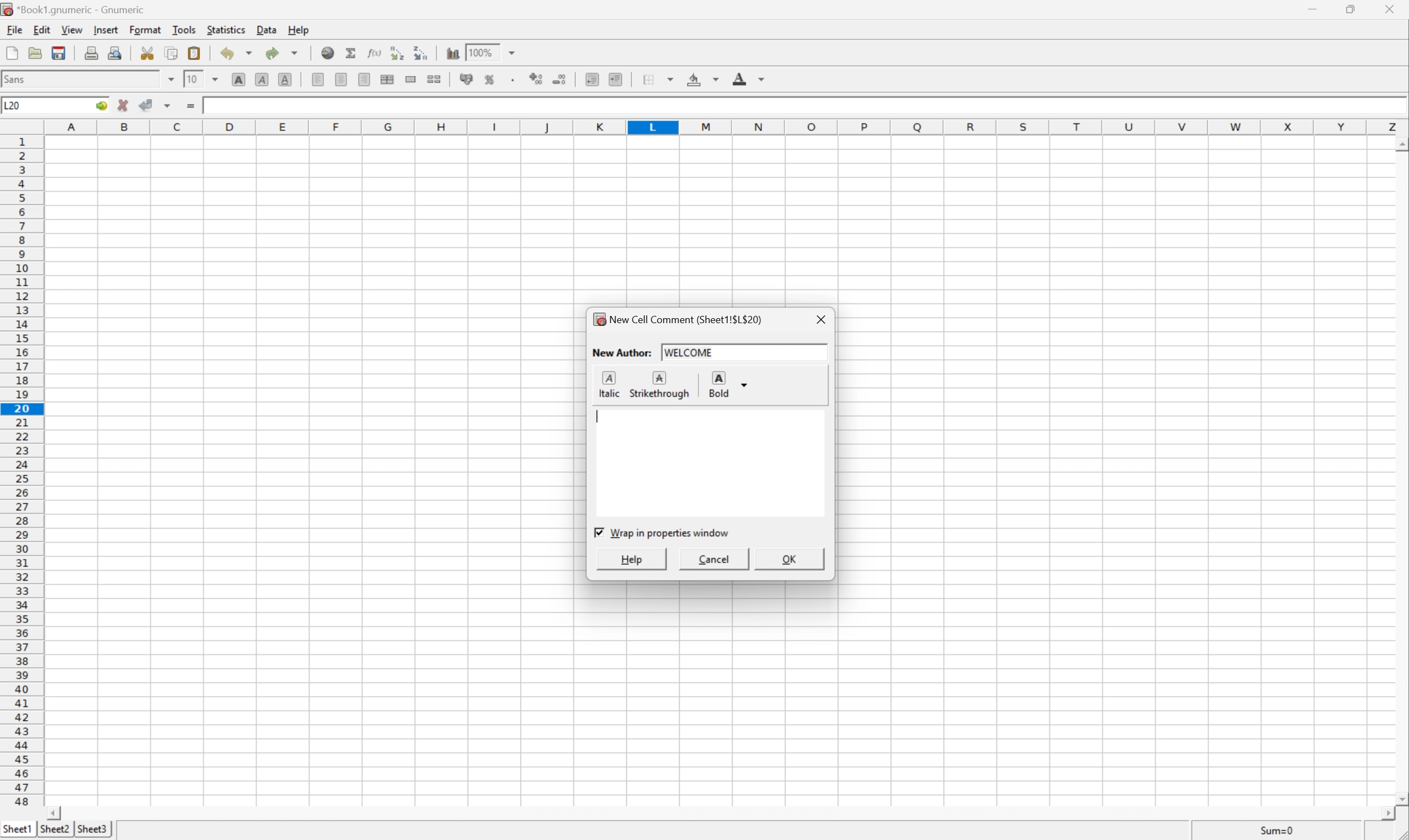 The width and height of the screenshot is (1409, 840). I want to click on Italic, so click(609, 383).